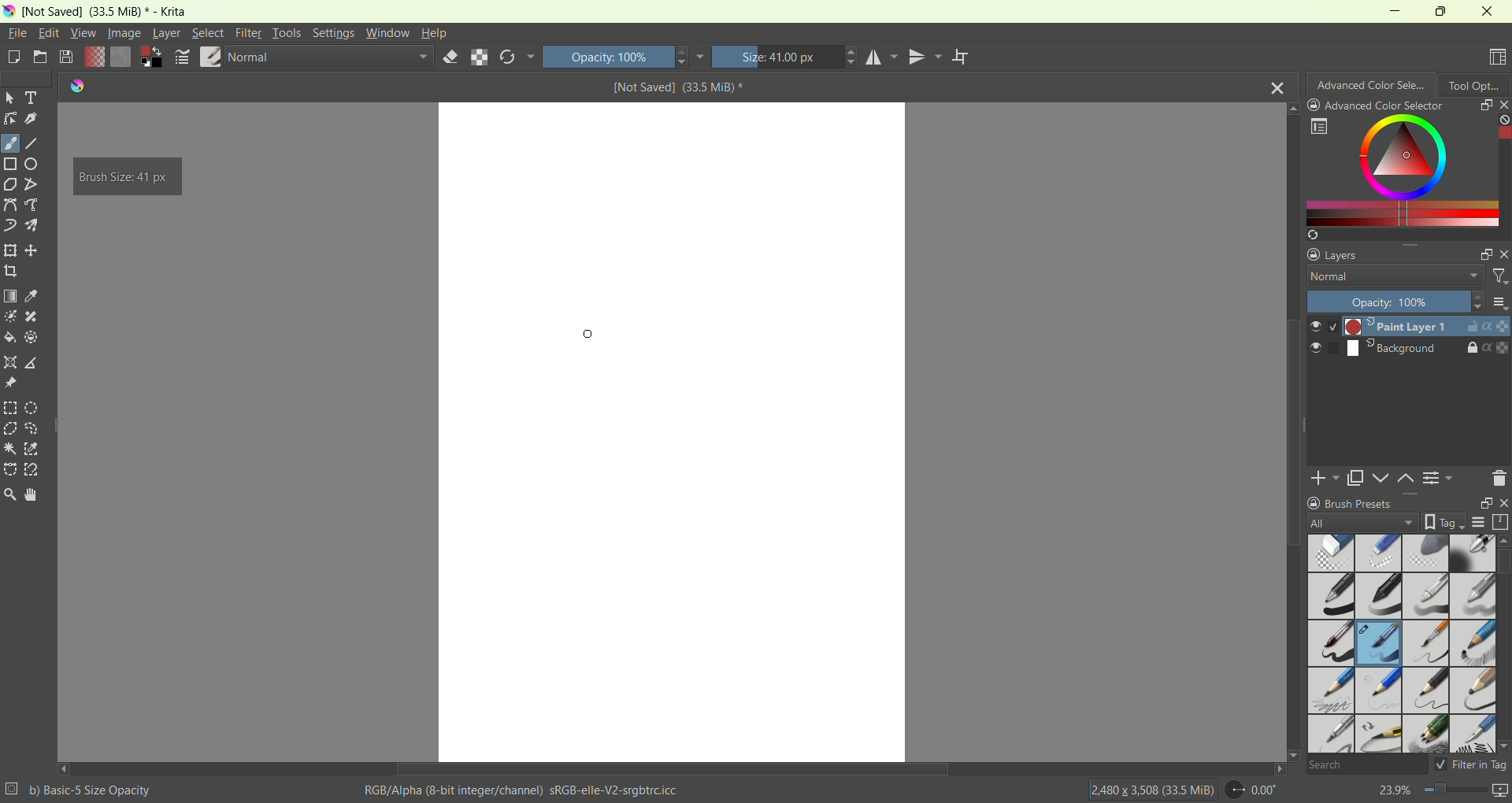  What do you see at coordinates (1151, 789) in the screenshot?
I see `12,480 x 3,508 (33.5 MiB)` at bounding box center [1151, 789].